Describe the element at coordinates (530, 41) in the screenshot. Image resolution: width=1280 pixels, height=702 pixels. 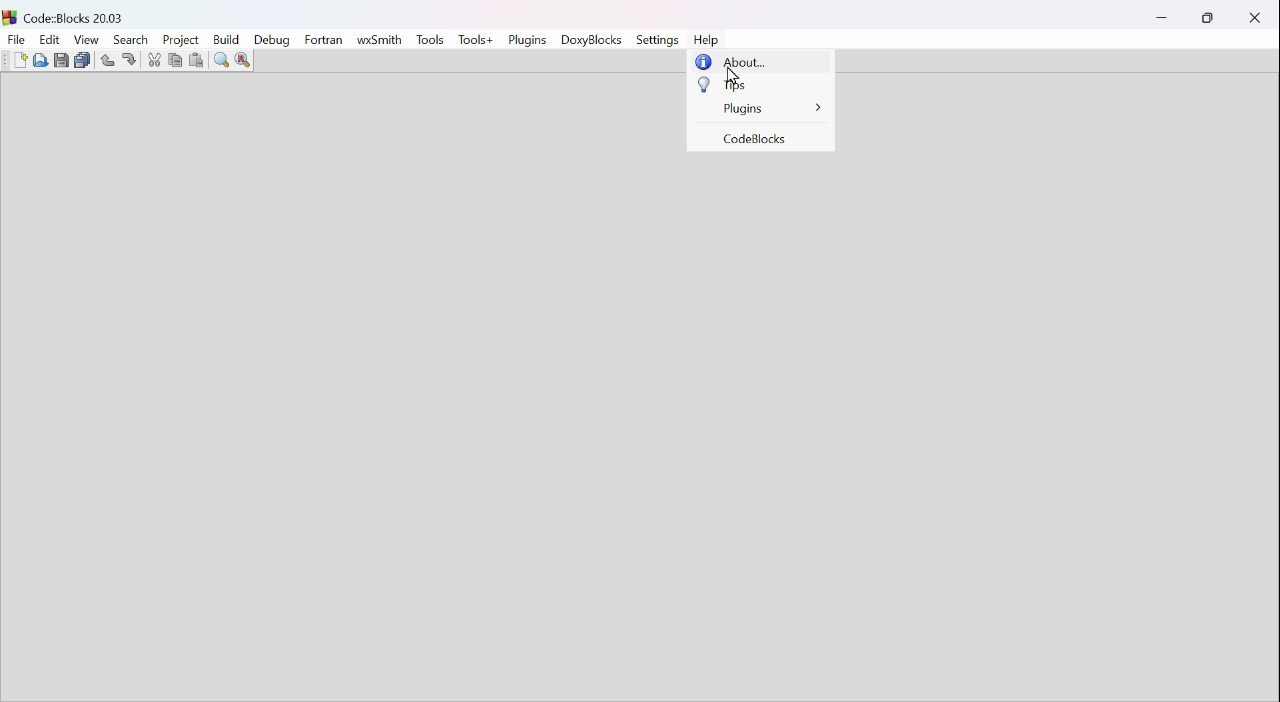
I see `Plugins` at that location.